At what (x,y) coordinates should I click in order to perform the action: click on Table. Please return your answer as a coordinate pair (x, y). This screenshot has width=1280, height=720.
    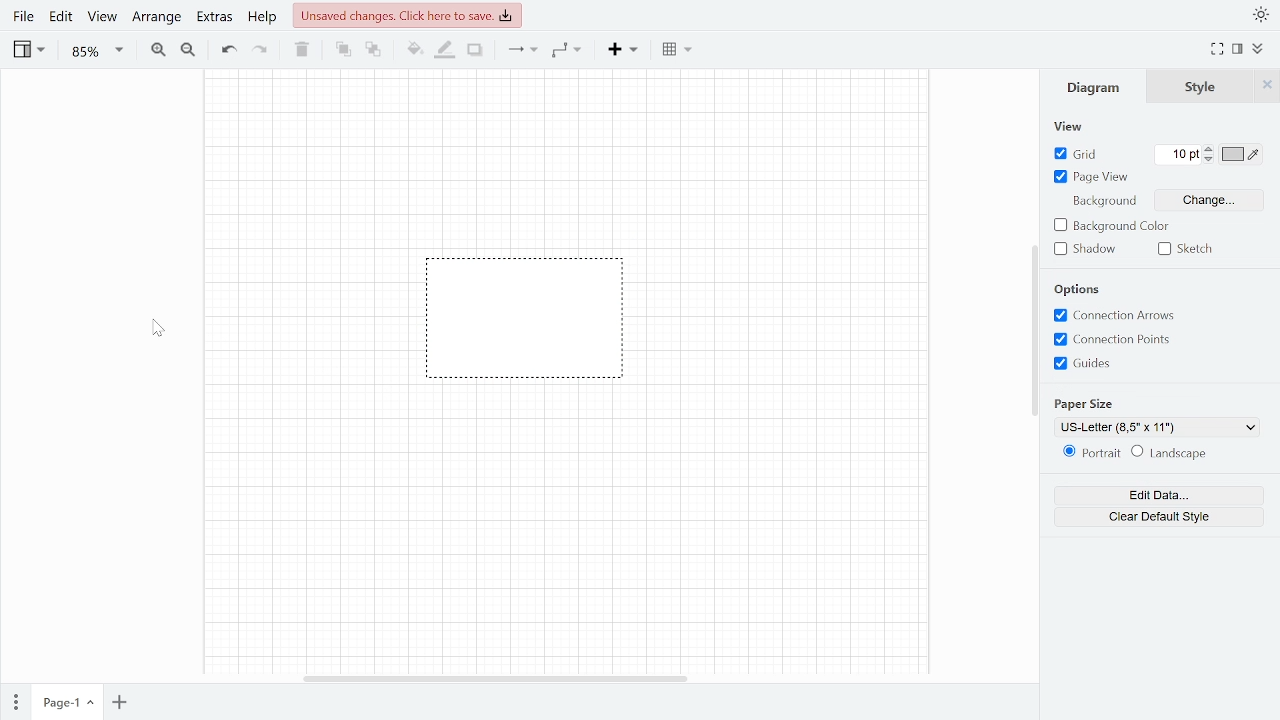
    Looking at the image, I should click on (676, 50).